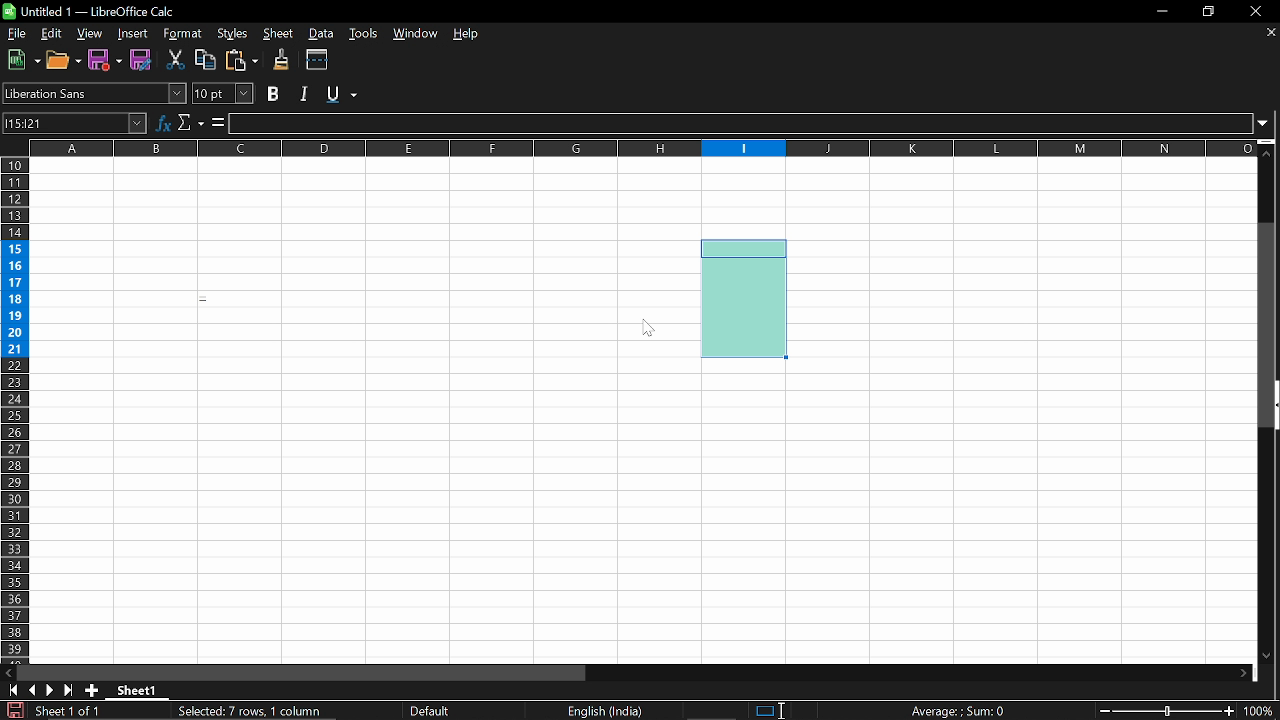  What do you see at coordinates (141, 61) in the screenshot?
I see `Save` at bounding box center [141, 61].